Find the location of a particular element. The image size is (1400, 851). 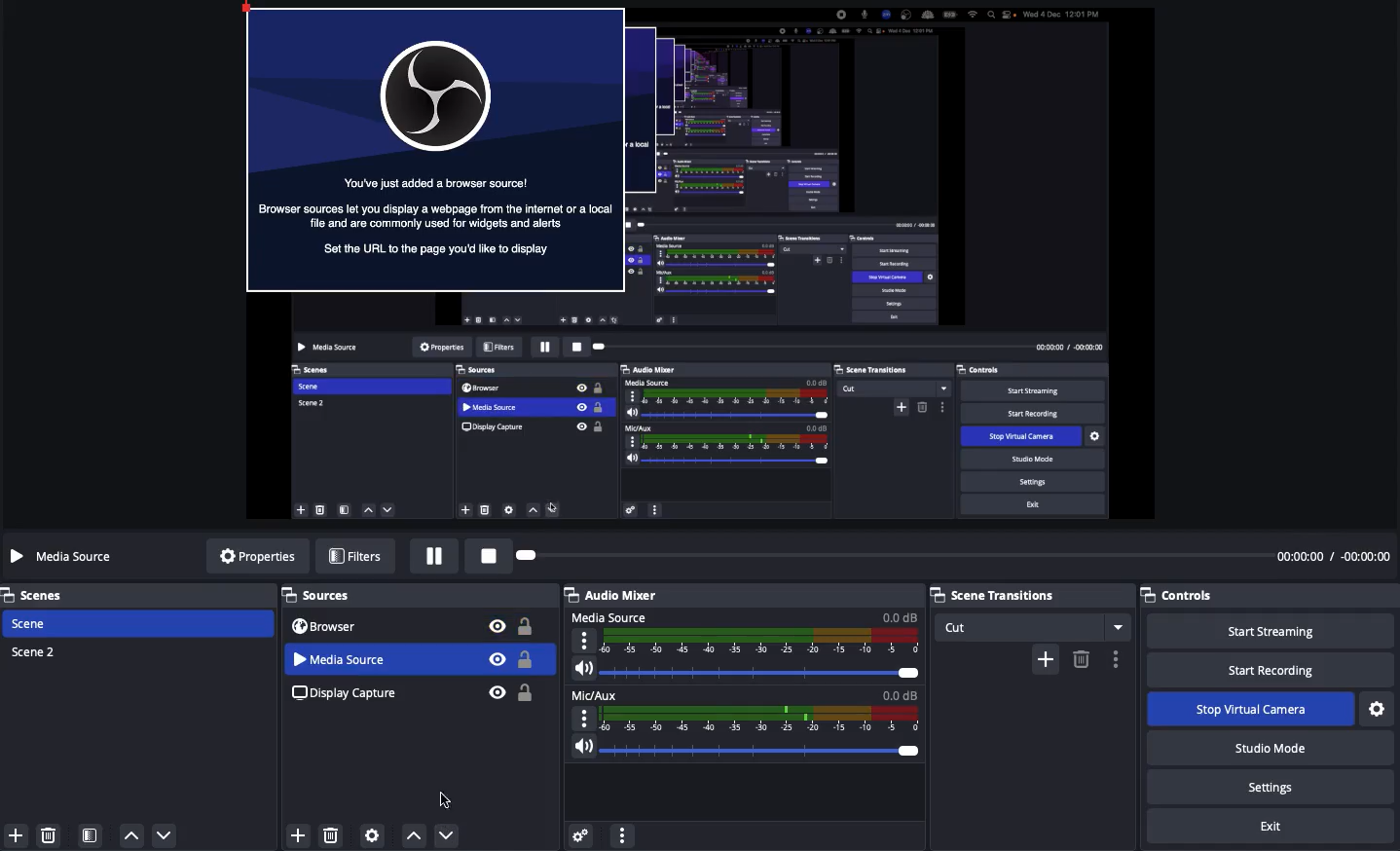

Scene filter is located at coordinates (91, 836).